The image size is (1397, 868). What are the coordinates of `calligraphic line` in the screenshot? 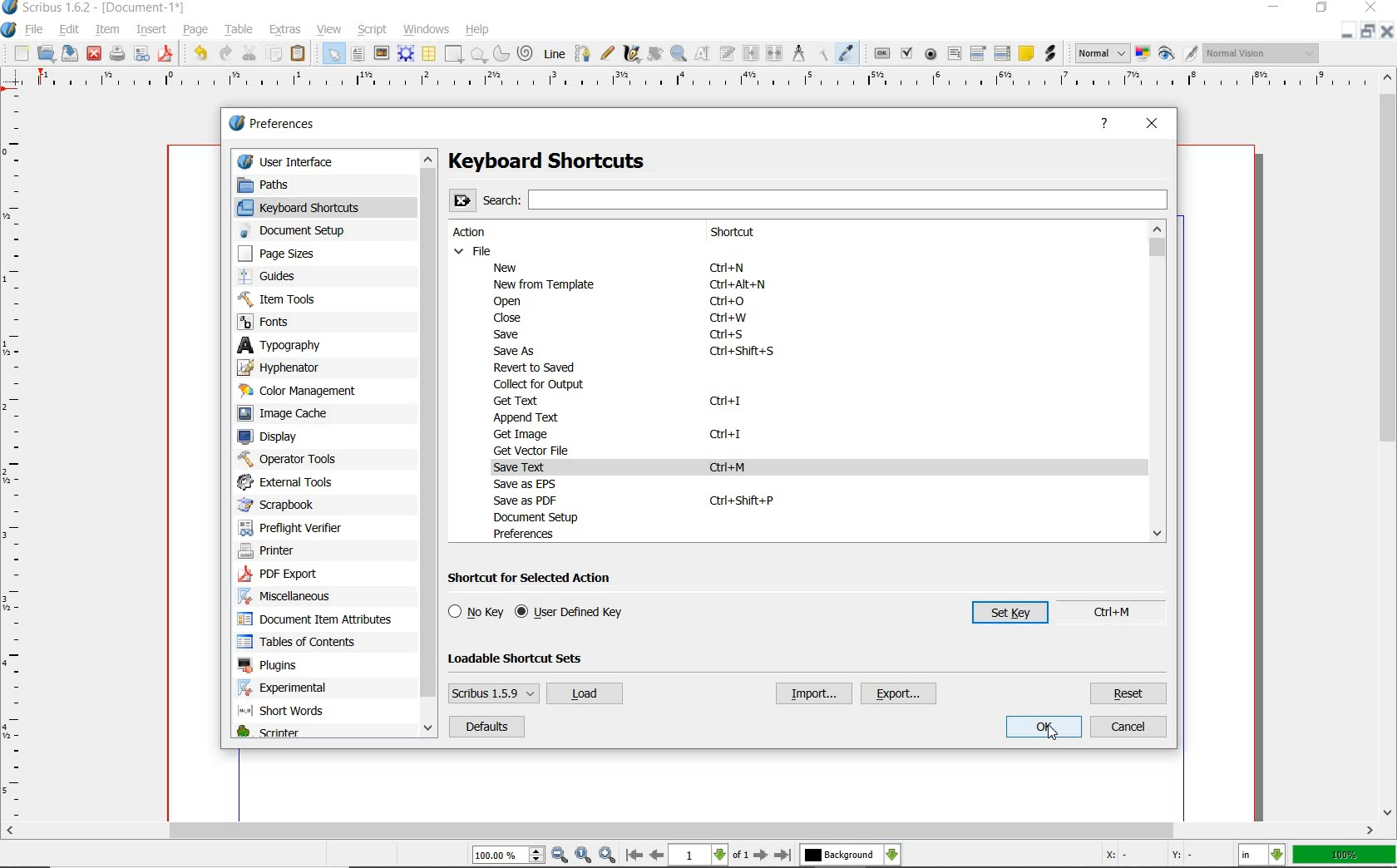 It's located at (633, 55).